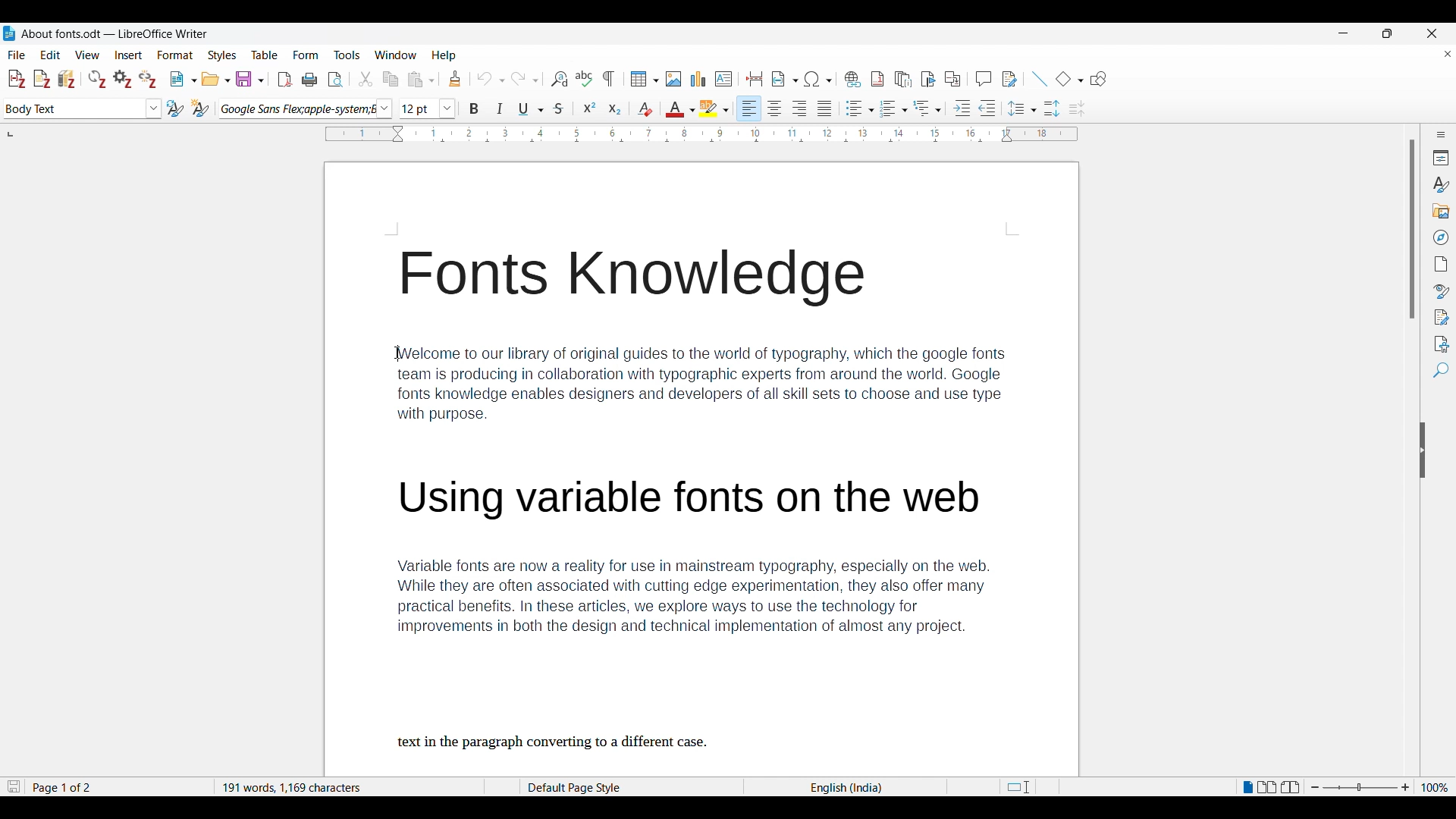  I want to click on Insert comment, so click(984, 79).